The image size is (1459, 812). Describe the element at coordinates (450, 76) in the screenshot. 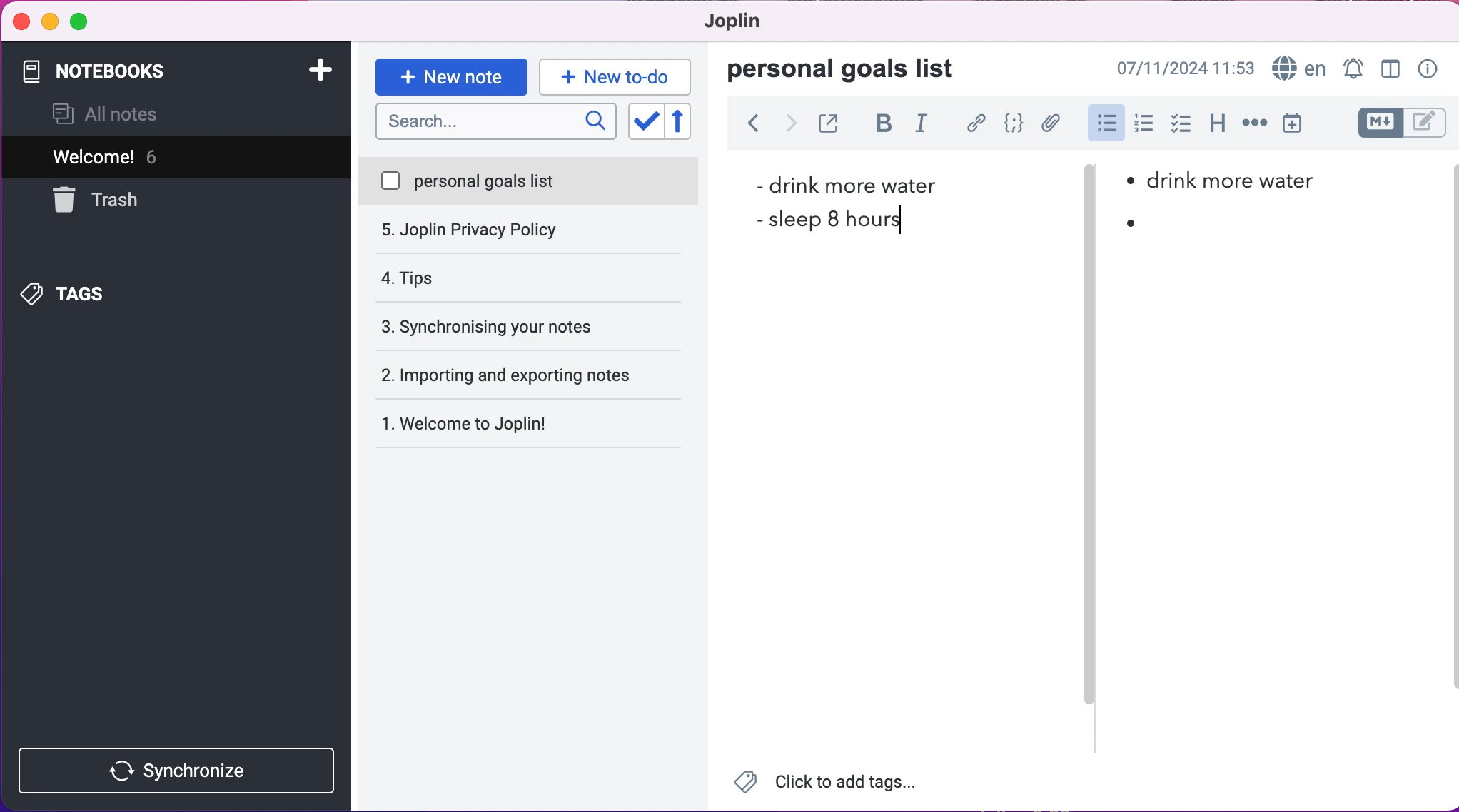

I see `new note` at that location.